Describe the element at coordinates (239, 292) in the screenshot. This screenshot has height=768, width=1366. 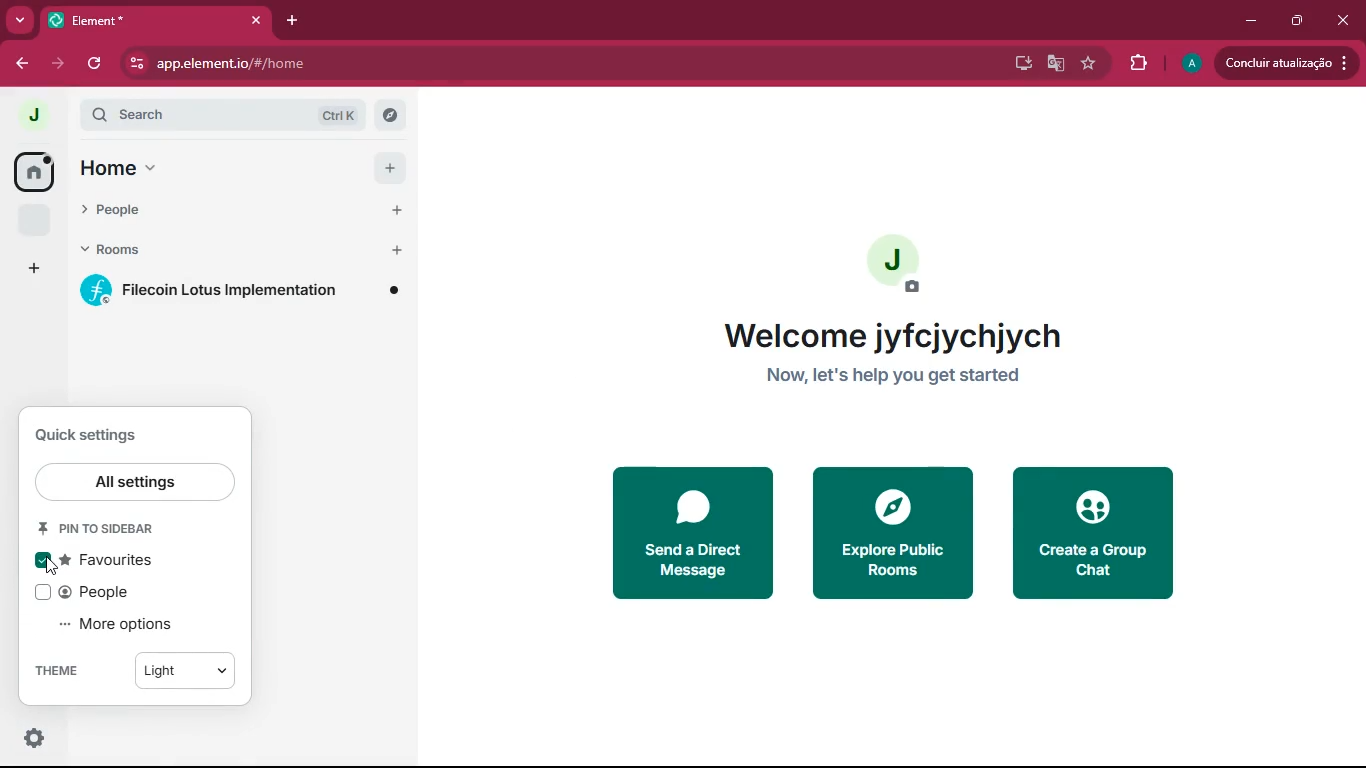
I see `room` at that location.